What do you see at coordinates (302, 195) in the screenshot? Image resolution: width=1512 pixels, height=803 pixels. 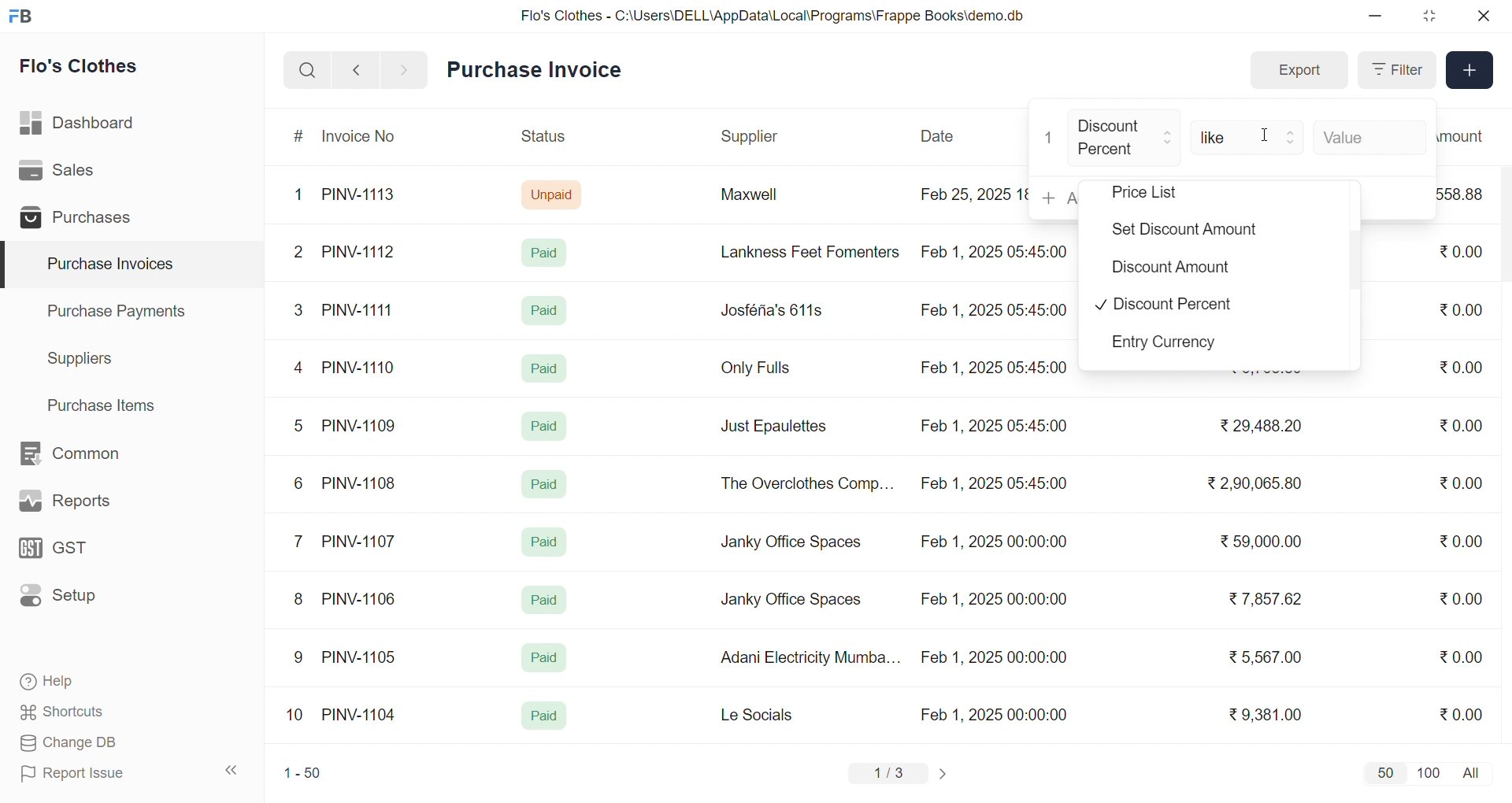 I see `1` at bounding box center [302, 195].